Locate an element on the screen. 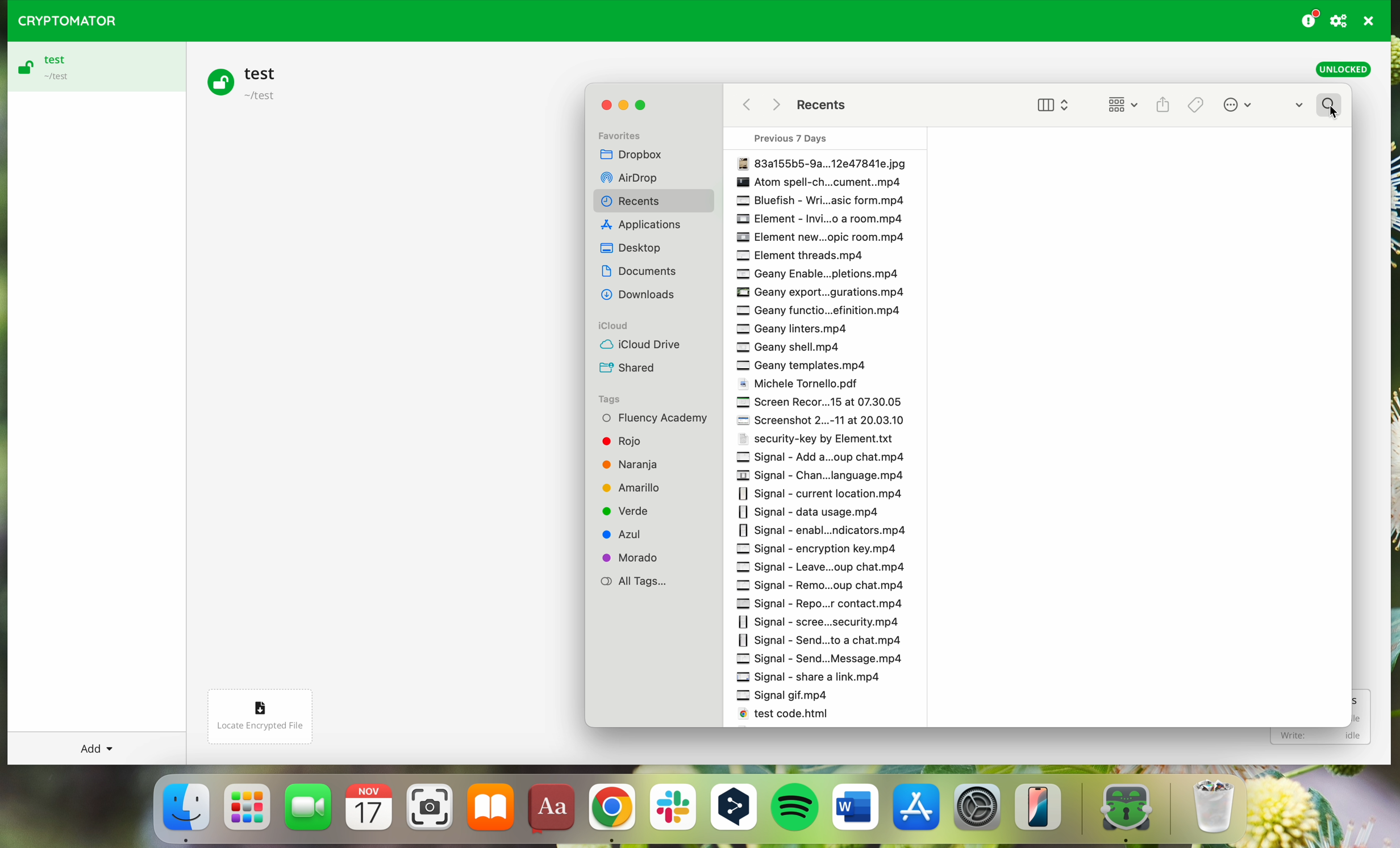 The height and width of the screenshot is (848, 1400). Google Chrome is located at coordinates (611, 813).